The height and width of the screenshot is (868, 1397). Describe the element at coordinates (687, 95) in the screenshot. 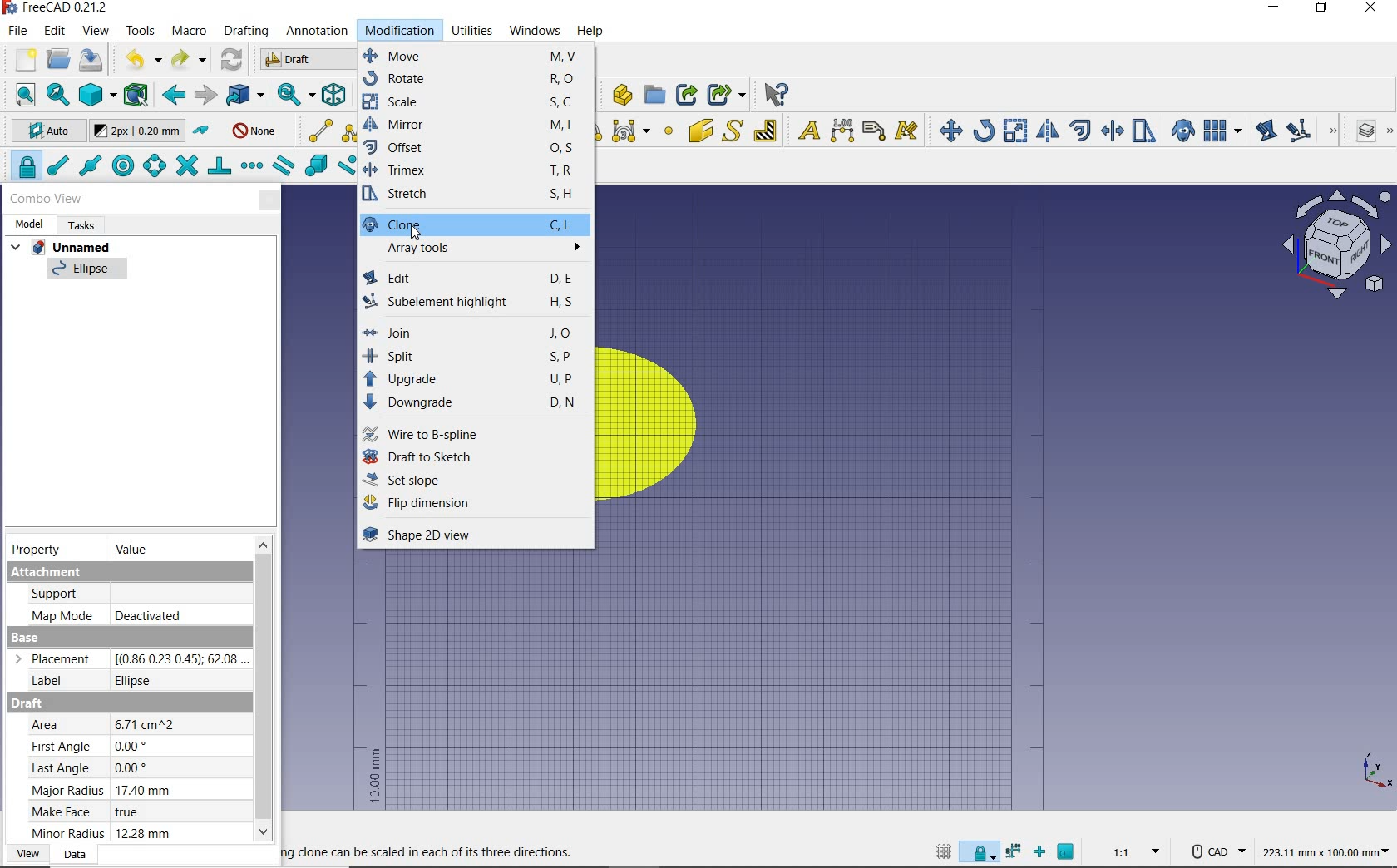

I see `make link` at that location.